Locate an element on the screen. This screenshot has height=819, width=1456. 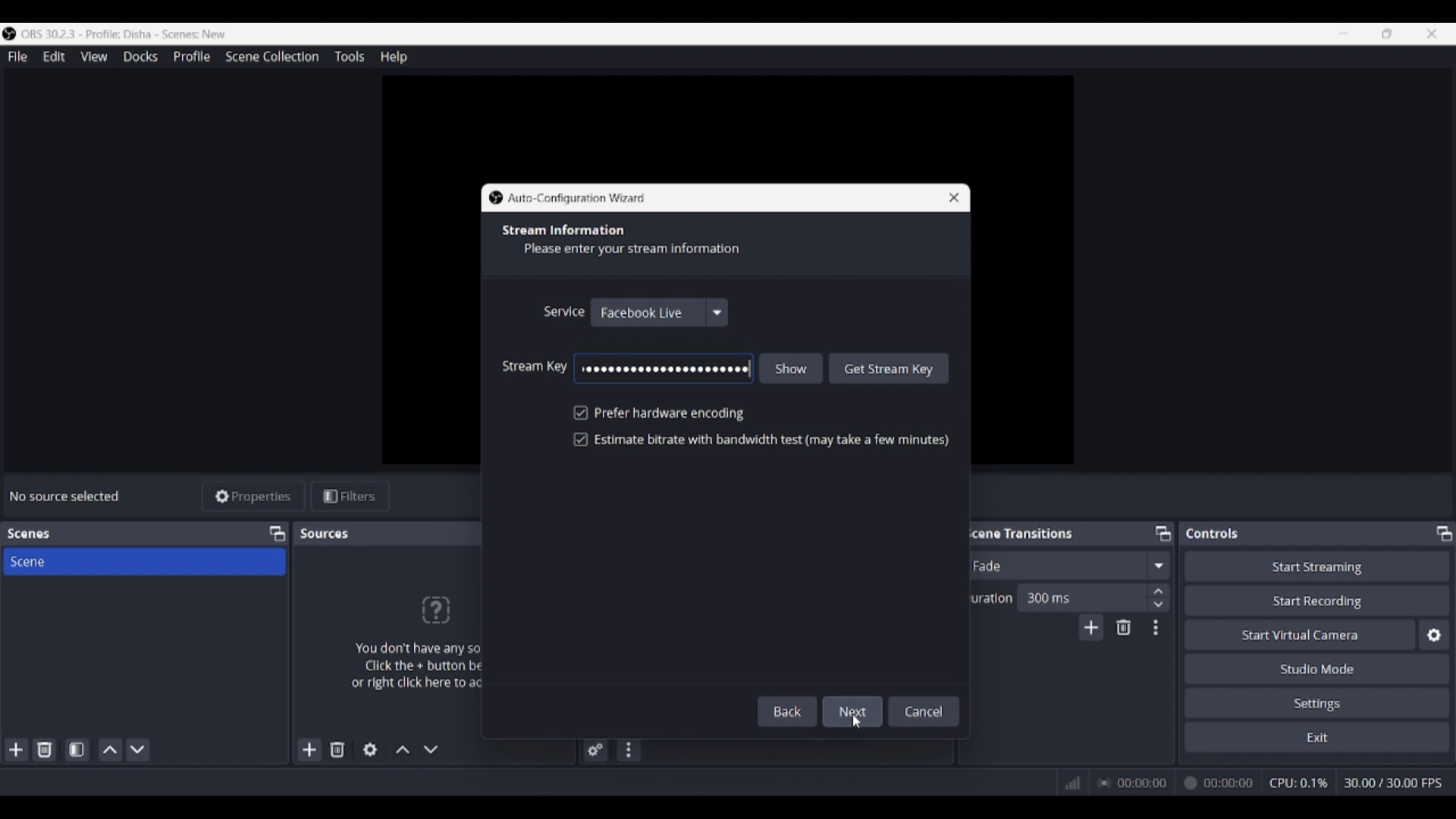
Delete selected scene is located at coordinates (44, 749).